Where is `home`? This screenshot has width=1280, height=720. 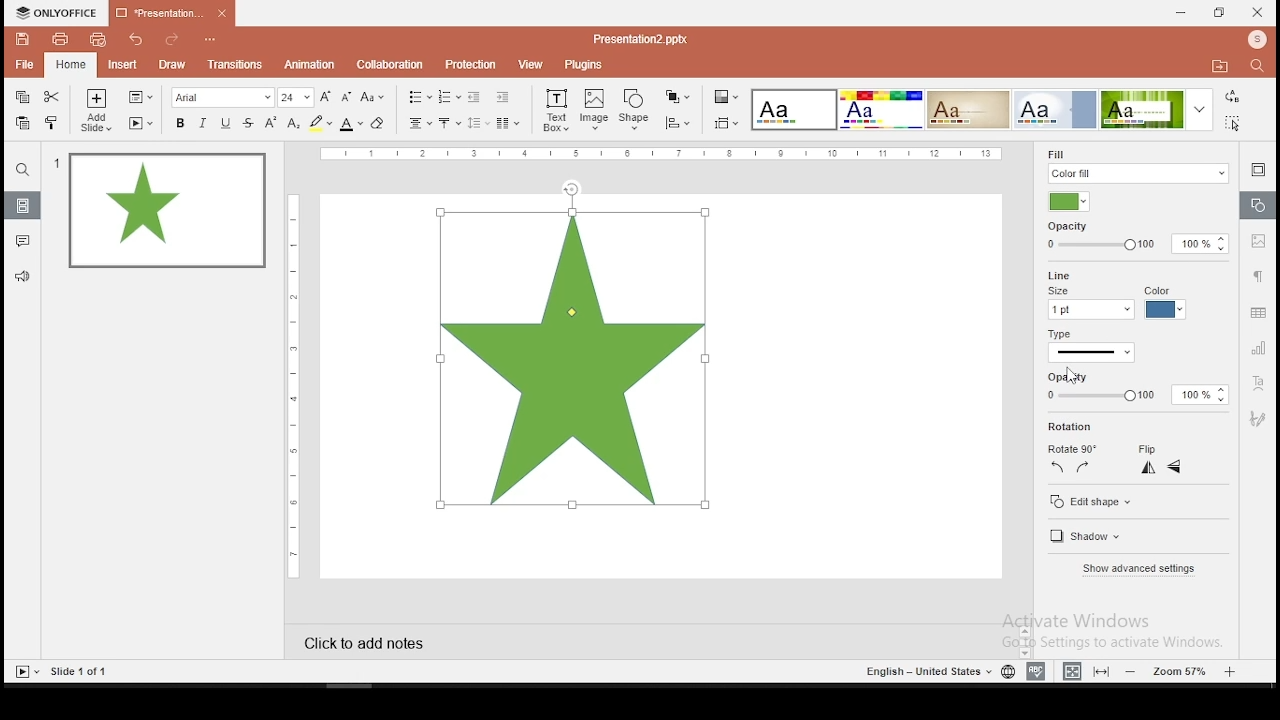 home is located at coordinates (71, 66).